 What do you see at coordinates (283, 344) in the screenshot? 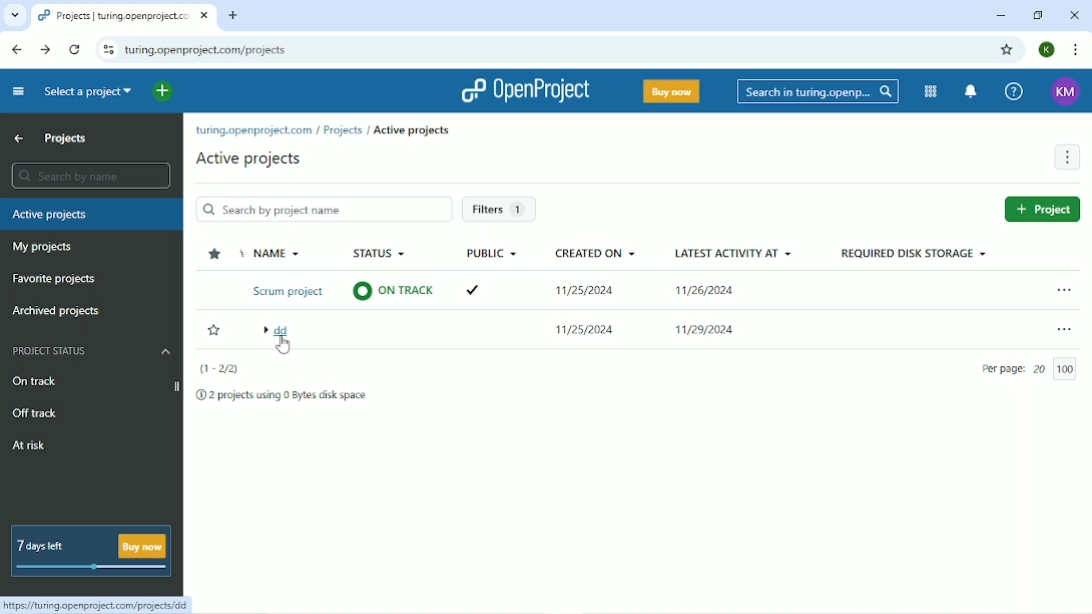
I see `cursor` at bounding box center [283, 344].